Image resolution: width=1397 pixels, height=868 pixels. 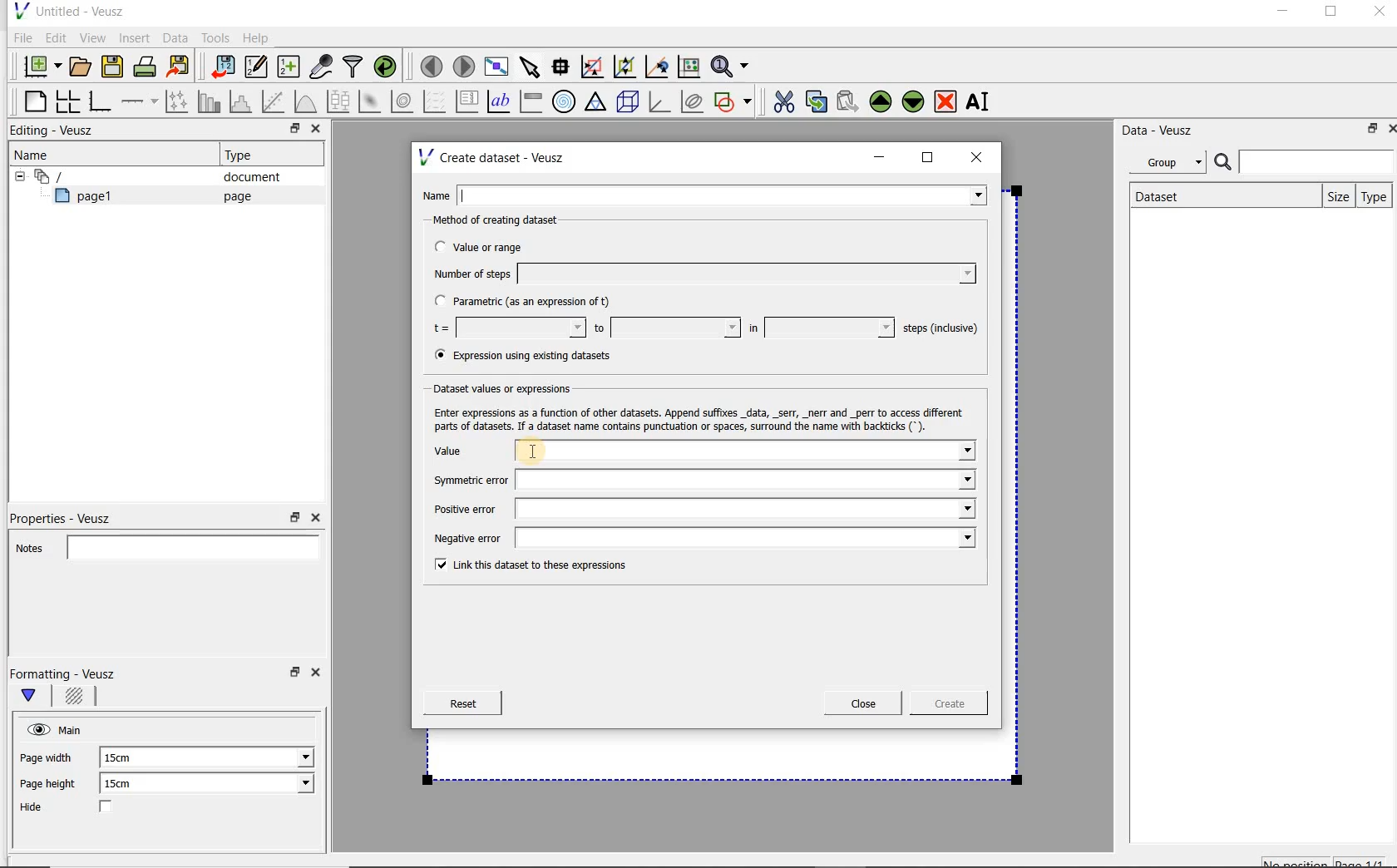 What do you see at coordinates (55, 37) in the screenshot?
I see `Edit` at bounding box center [55, 37].